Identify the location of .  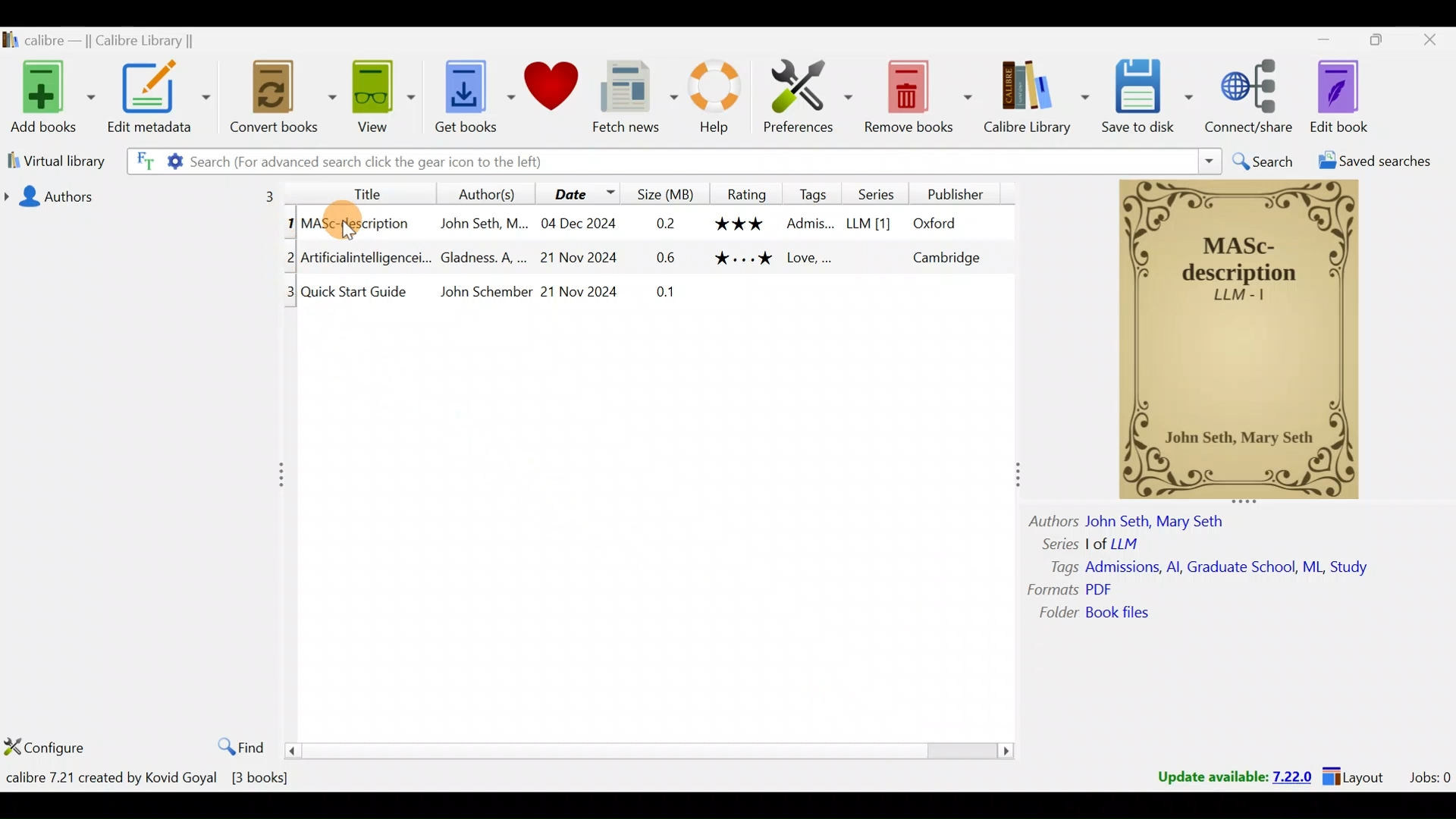
(1016, 481).